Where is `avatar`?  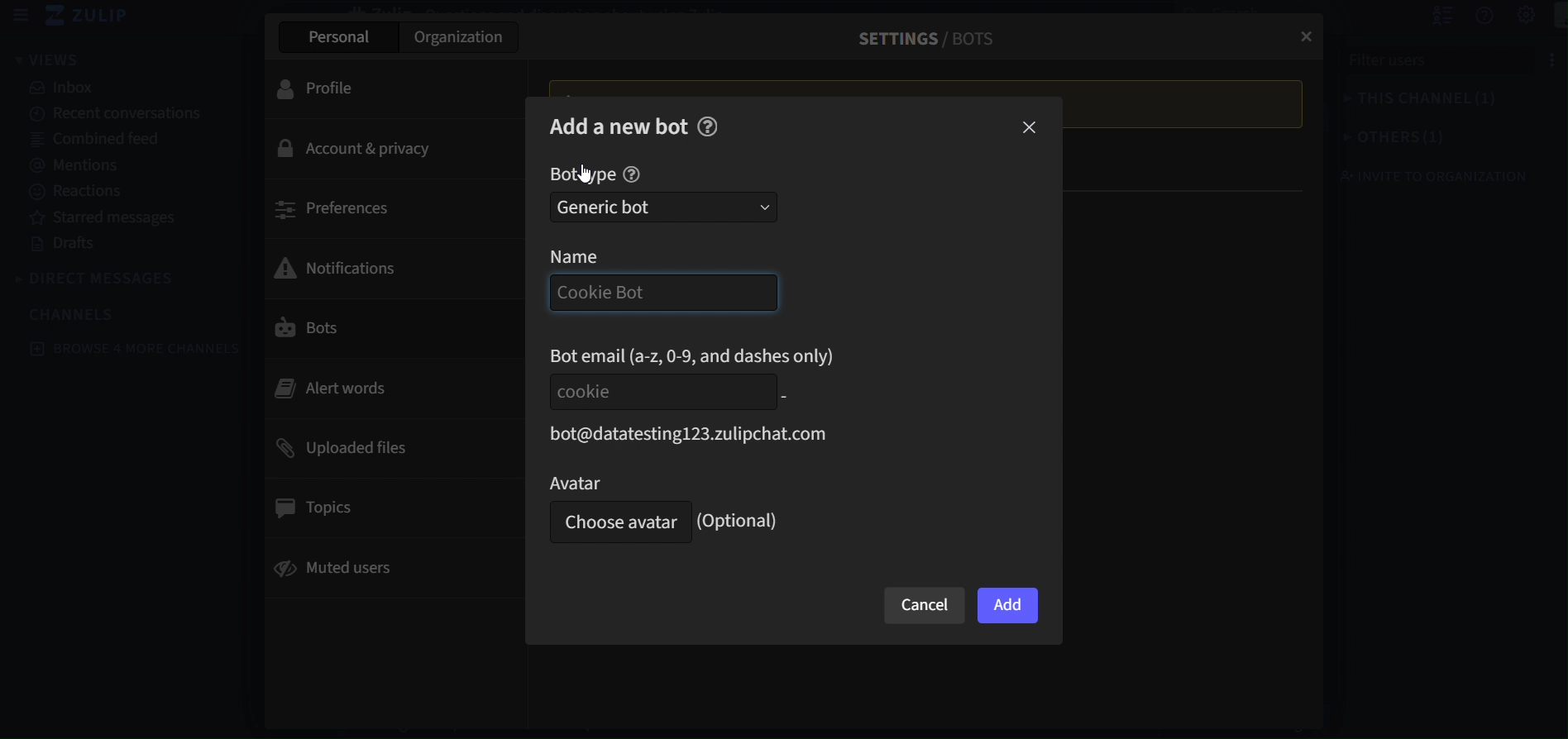
avatar is located at coordinates (614, 482).